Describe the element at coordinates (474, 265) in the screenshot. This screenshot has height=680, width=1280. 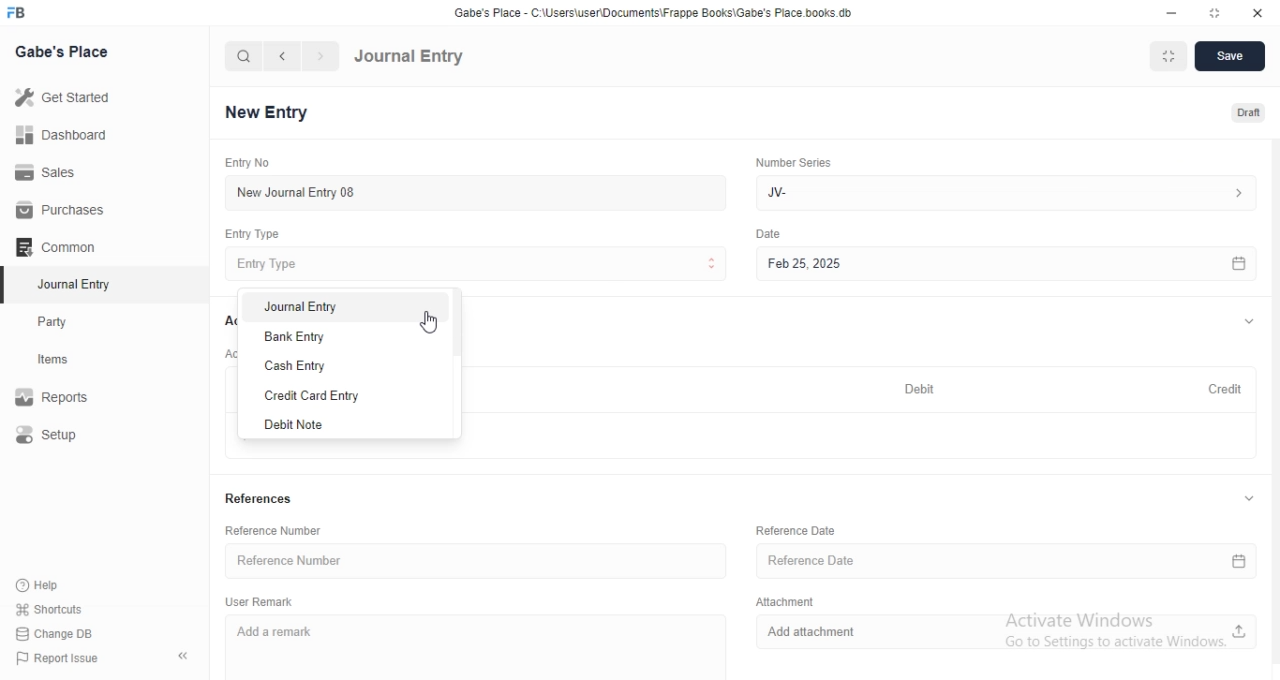
I see `Entry Type` at that location.